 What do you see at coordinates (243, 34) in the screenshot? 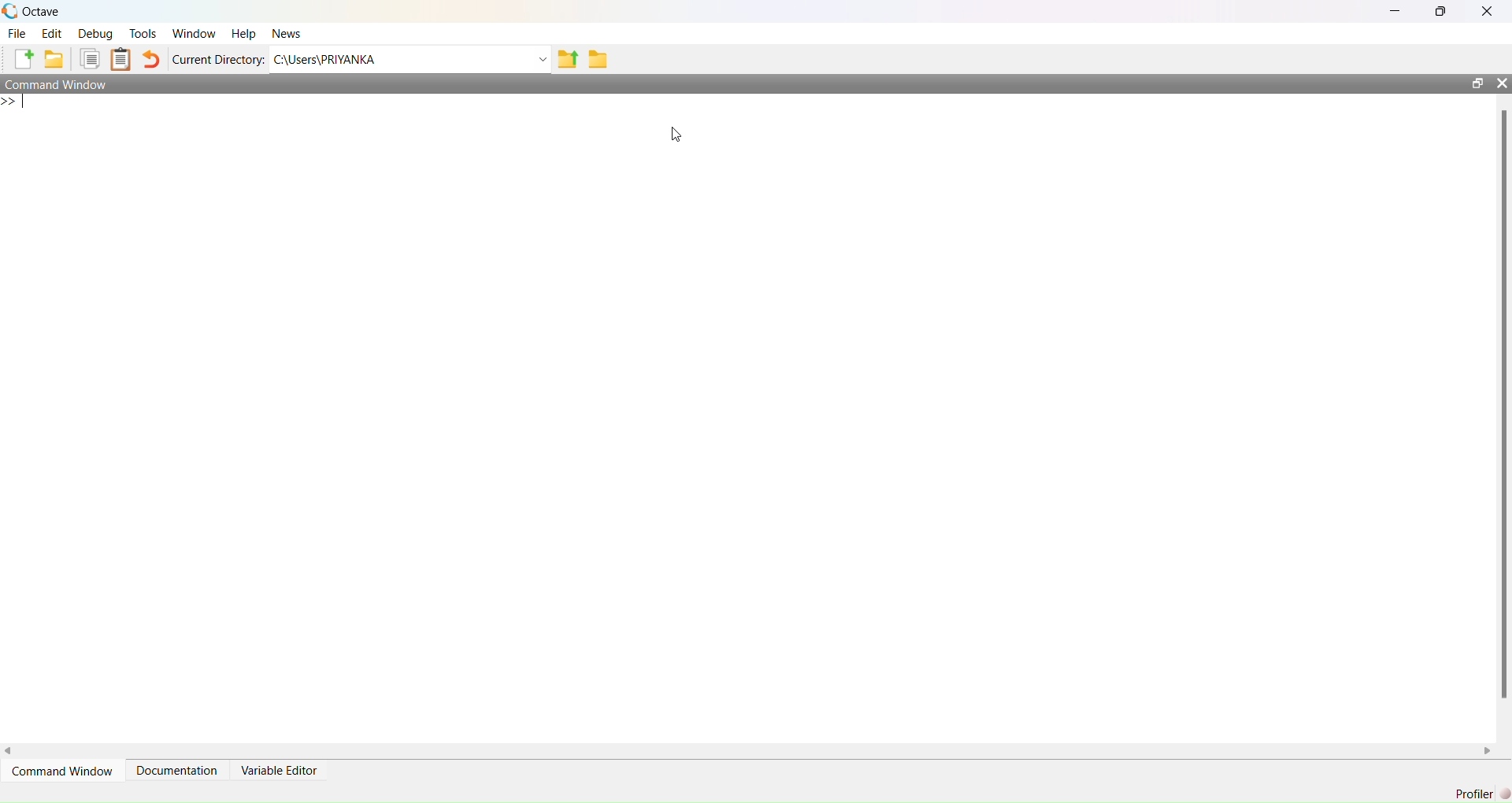
I see `Help` at bounding box center [243, 34].